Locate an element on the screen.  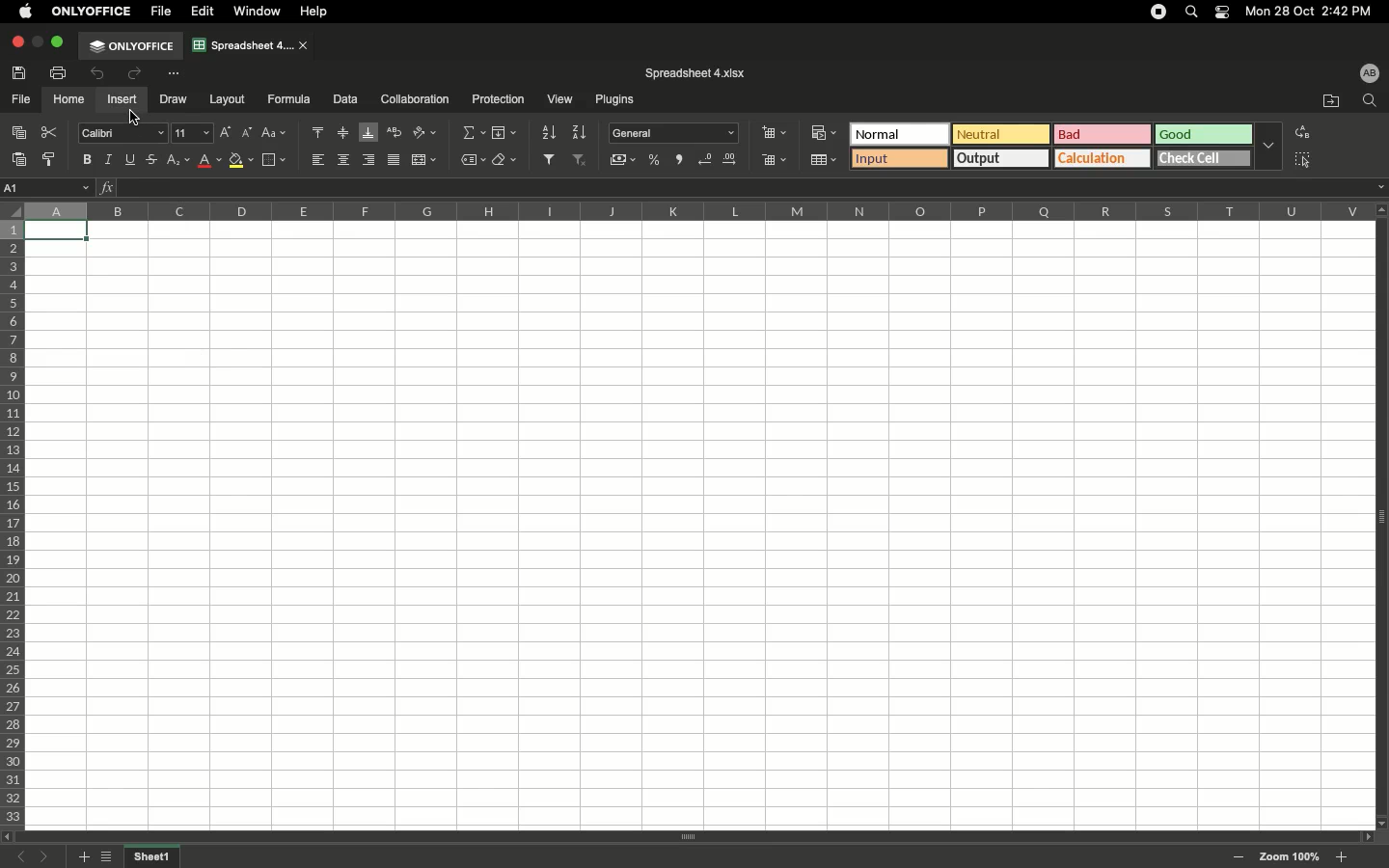
close is located at coordinates (305, 46).